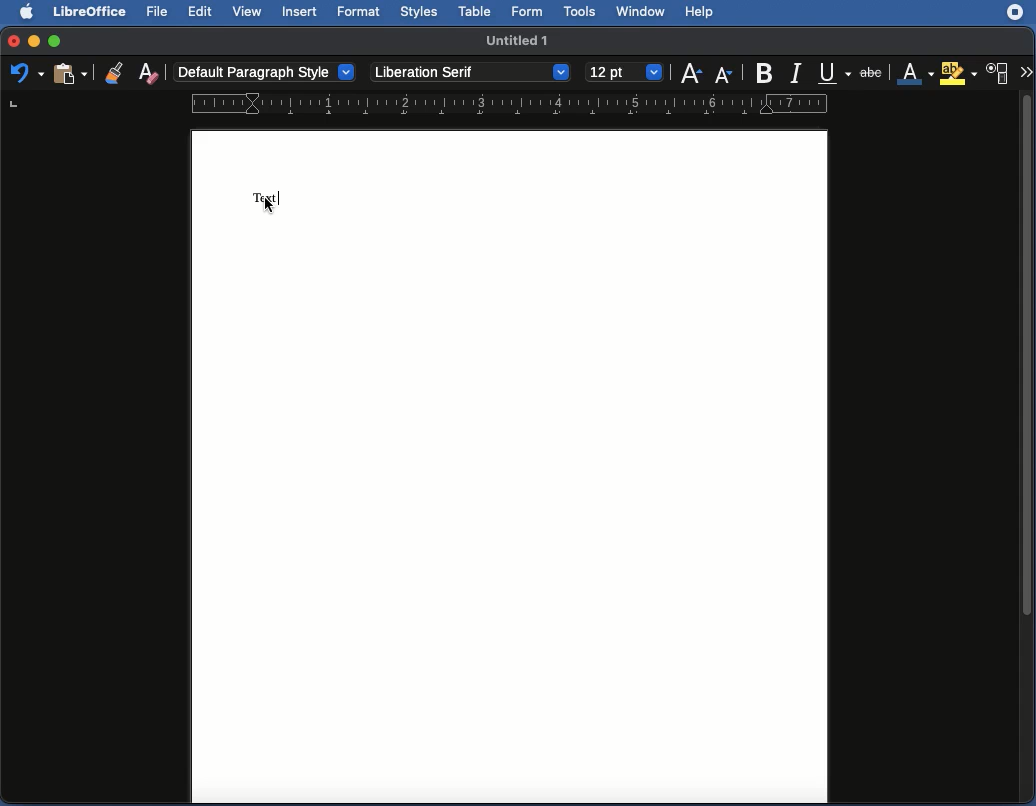 Image resolution: width=1036 pixels, height=806 pixels. What do you see at coordinates (159, 12) in the screenshot?
I see `File` at bounding box center [159, 12].